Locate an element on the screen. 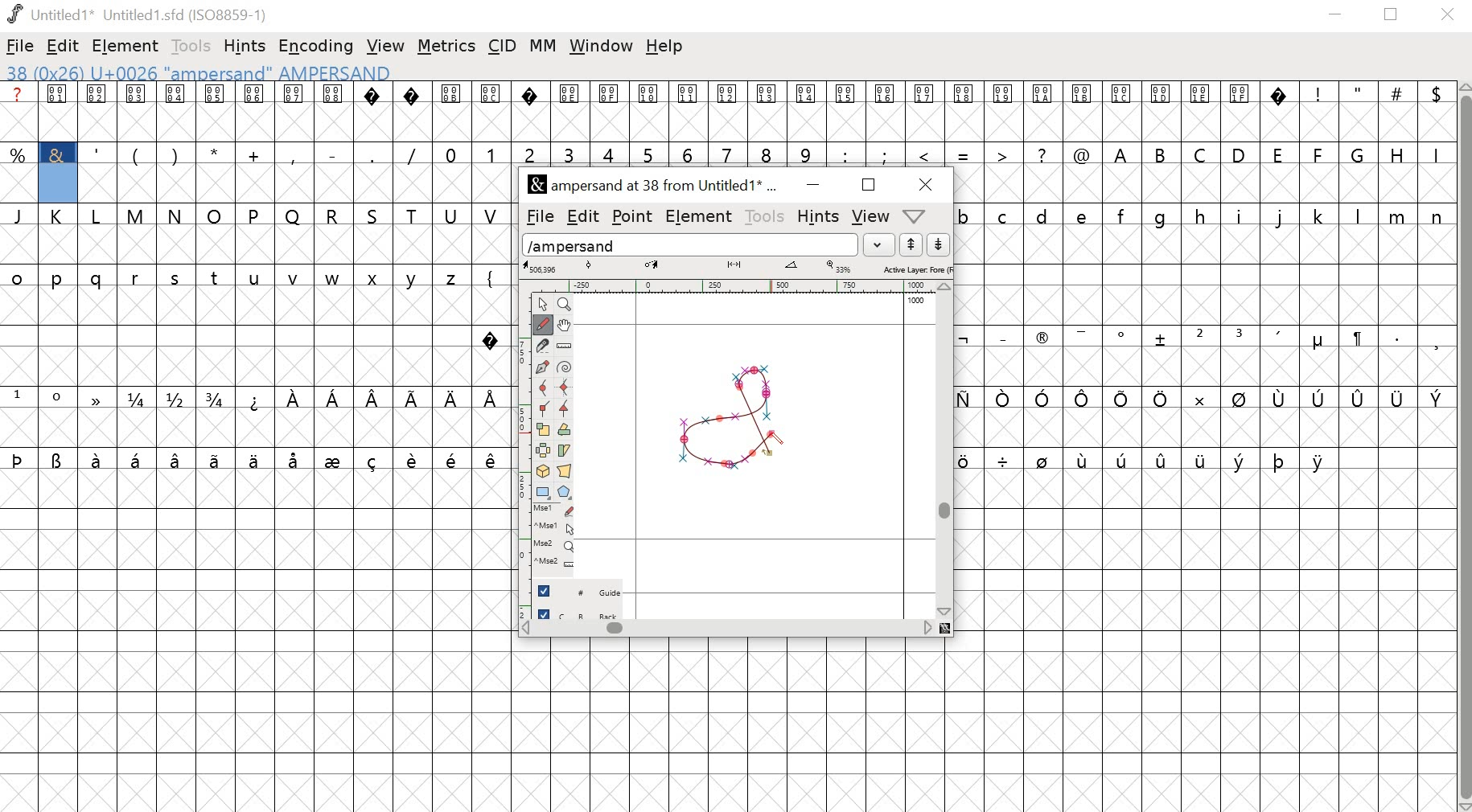 This screenshot has width=1472, height=812. cursor destination coordinate is located at coordinates (654, 265).